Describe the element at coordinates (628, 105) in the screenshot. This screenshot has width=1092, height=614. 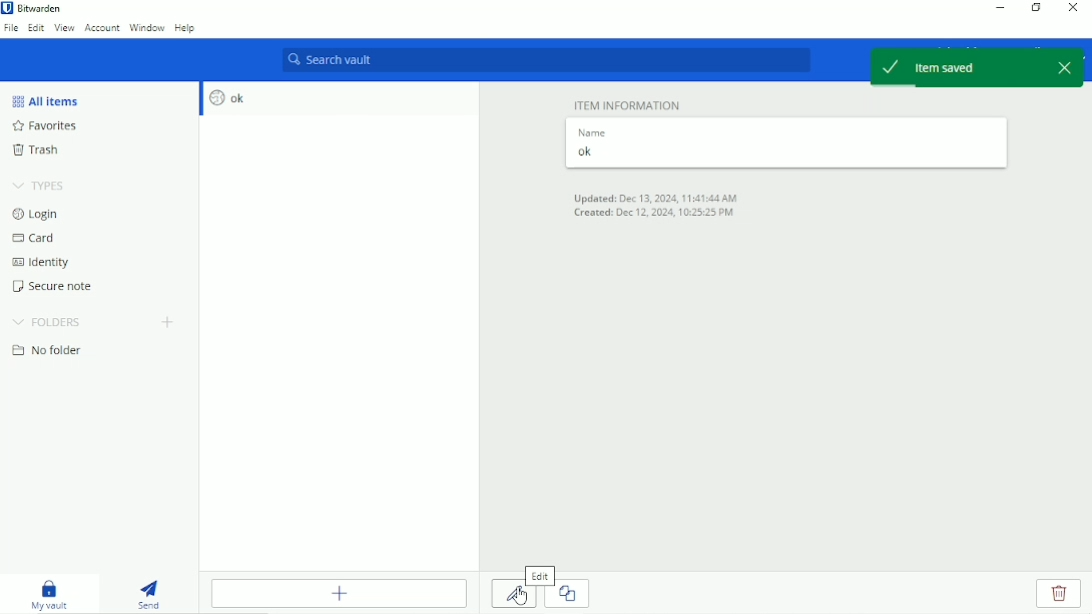
I see `Item information` at that location.